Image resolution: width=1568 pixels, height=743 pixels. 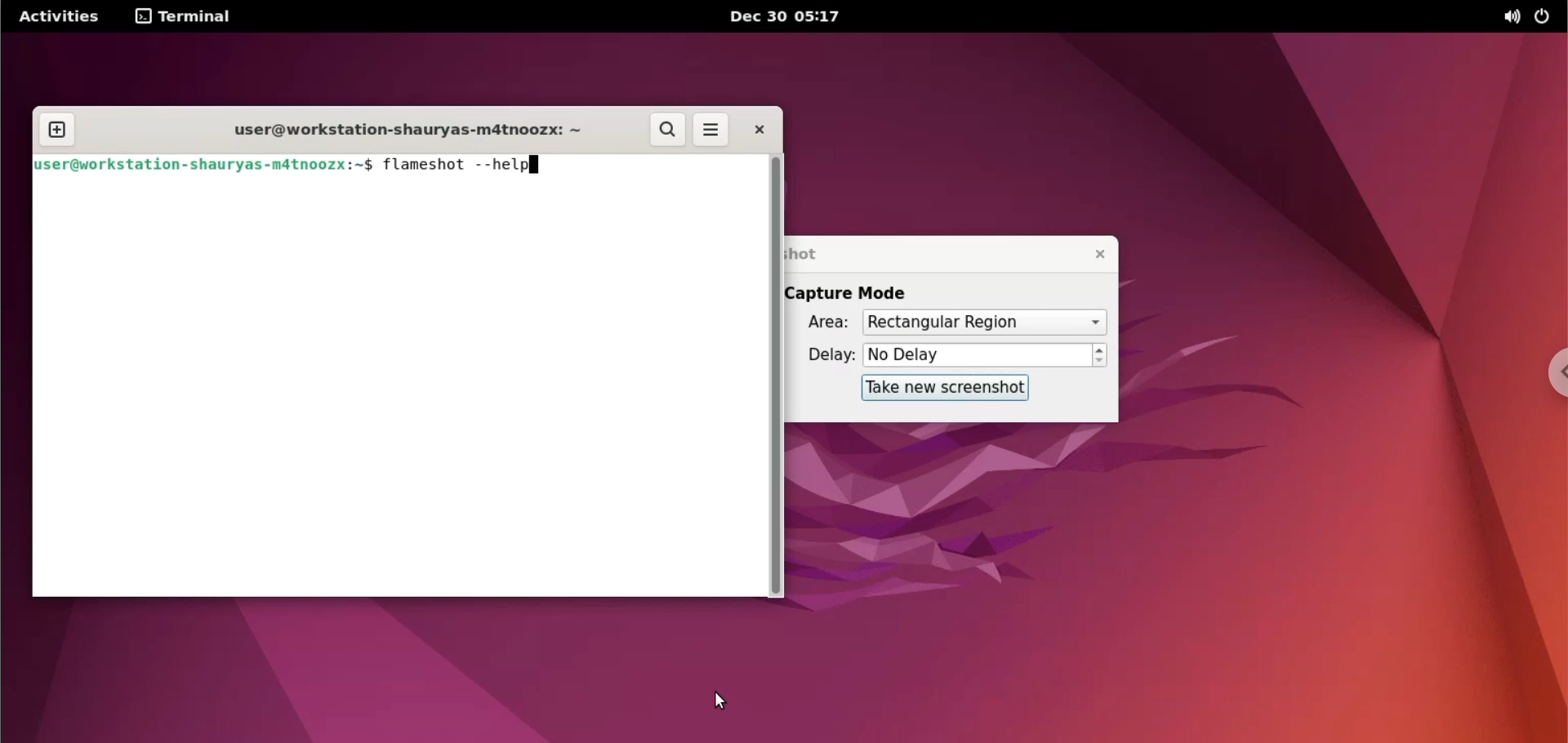 What do you see at coordinates (715, 129) in the screenshot?
I see `menu ` at bounding box center [715, 129].